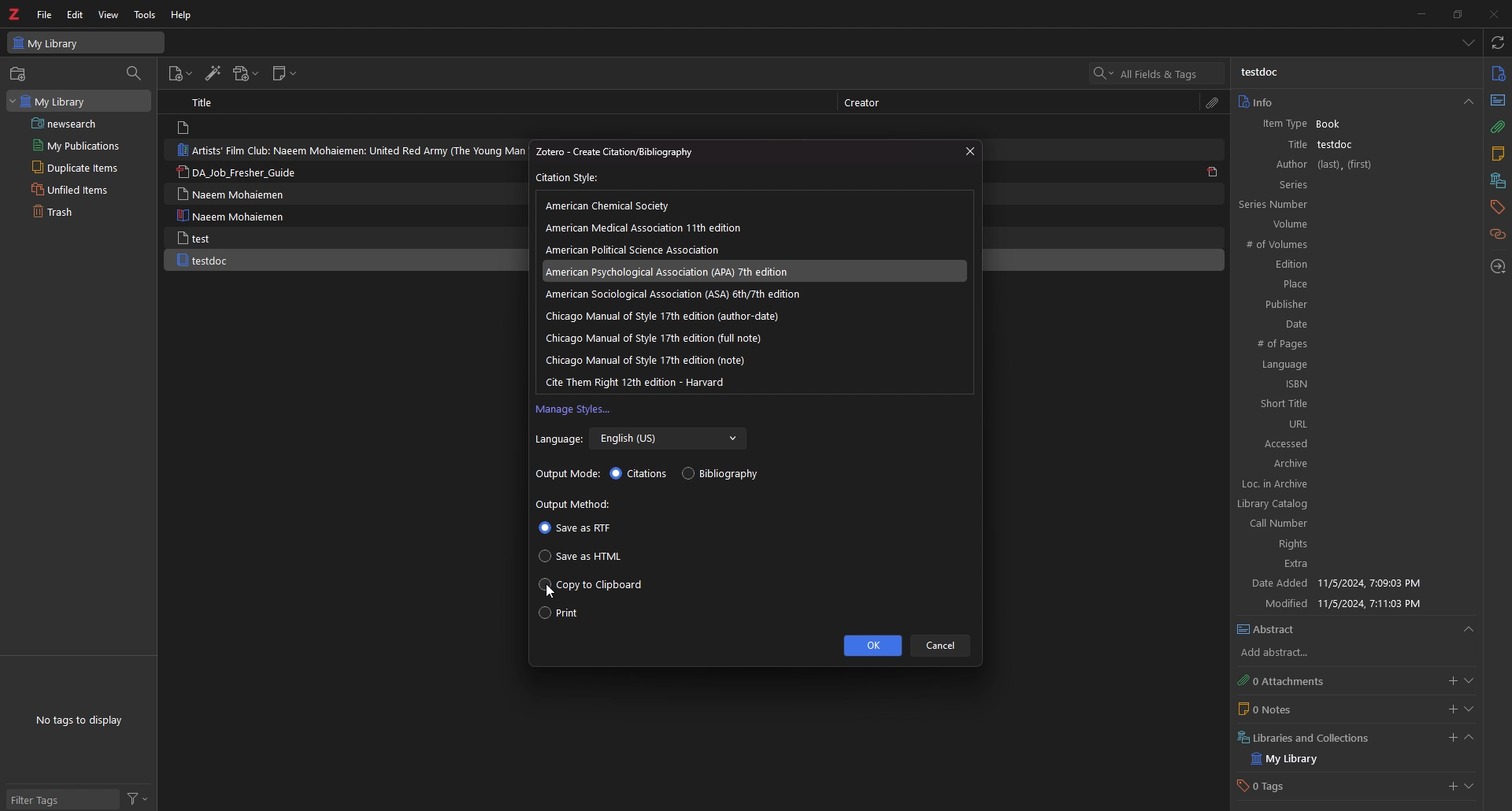  I want to click on unfiled items, so click(74, 189).